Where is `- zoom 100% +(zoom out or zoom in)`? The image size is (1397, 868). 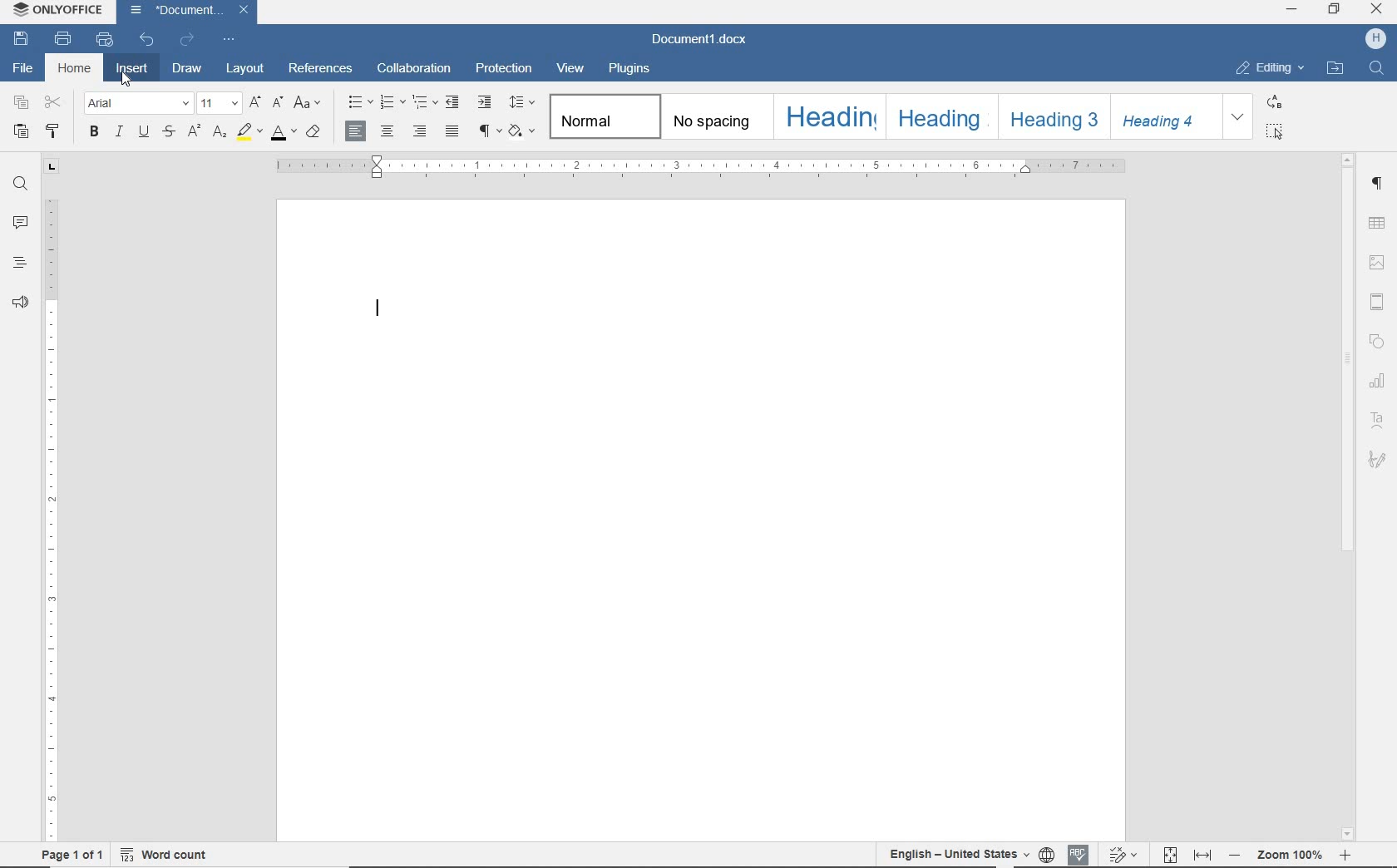
- zoom 100% +(zoom out or zoom in) is located at coordinates (1292, 856).